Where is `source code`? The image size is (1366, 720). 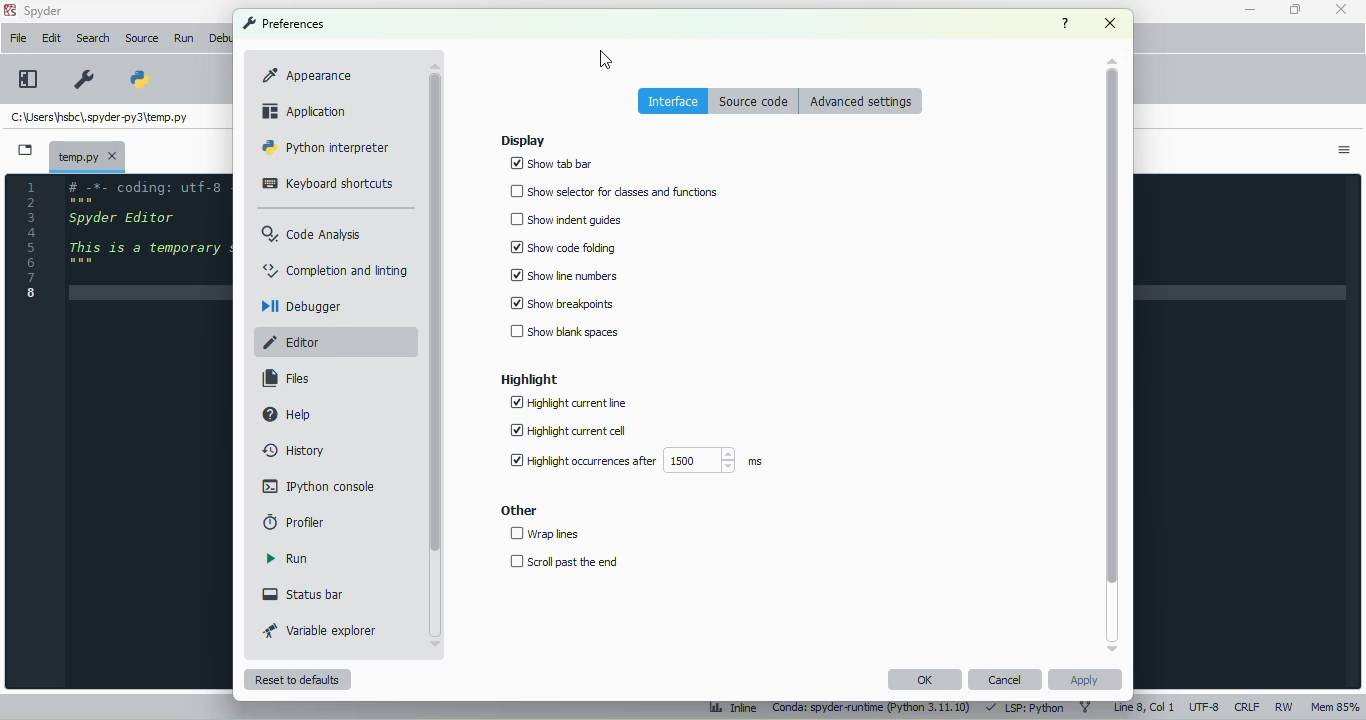
source code is located at coordinates (756, 101).